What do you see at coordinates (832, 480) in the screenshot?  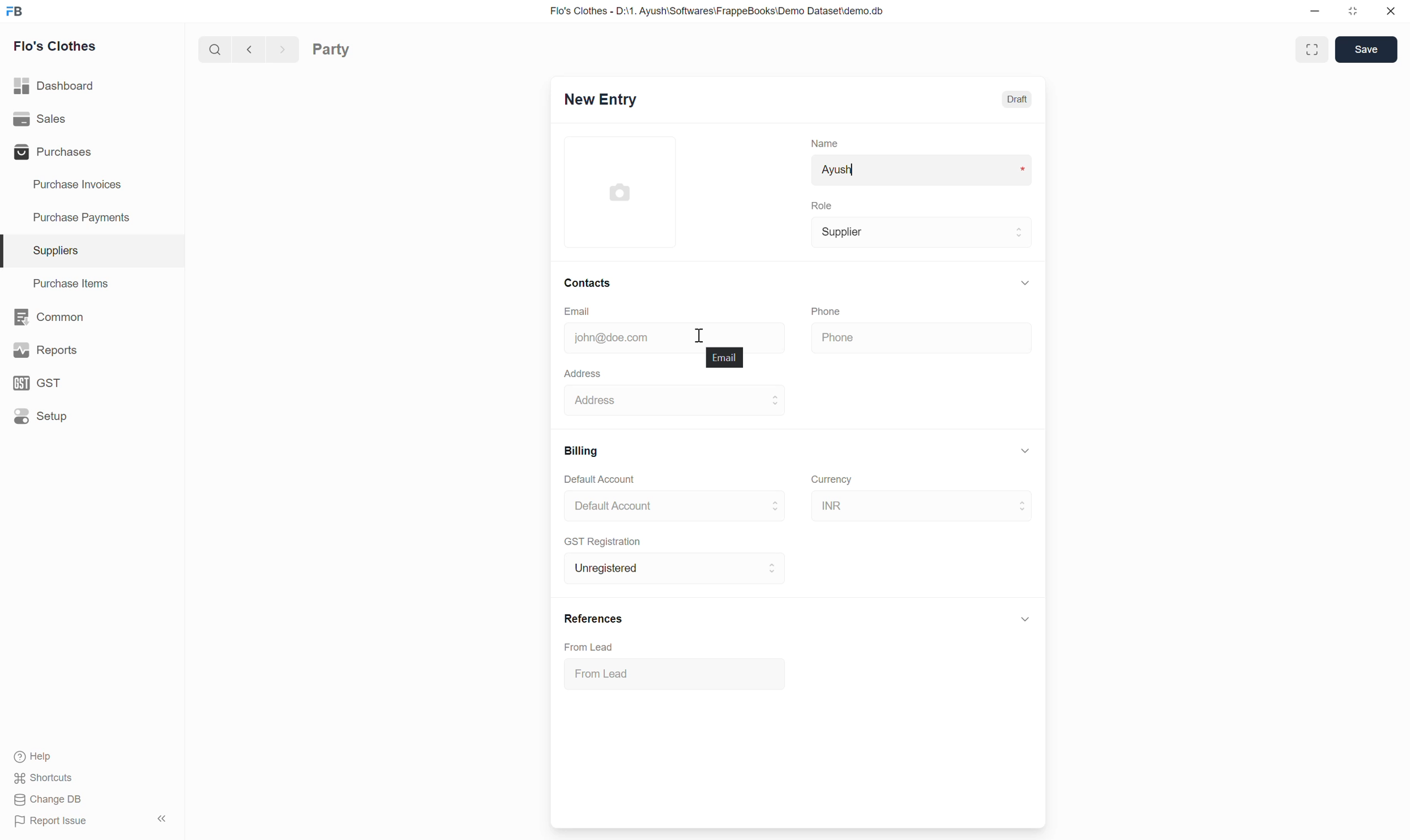 I see `Currency` at bounding box center [832, 480].